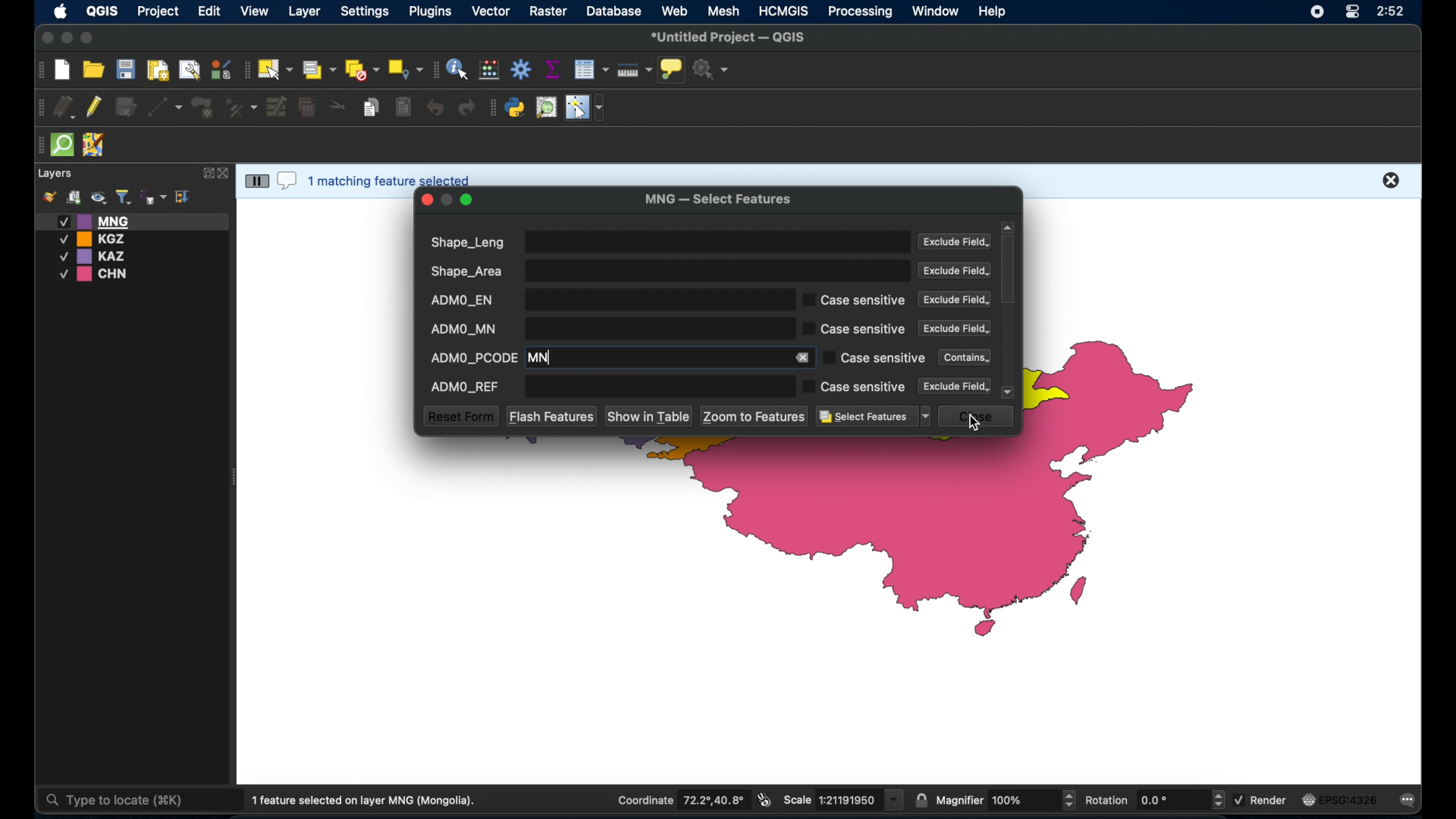 The height and width of the screenshot is (819, 1456). What do you see at coordinates (88, 39) in the screenshot?
I see `maximize` at bounding box center [88, 39].